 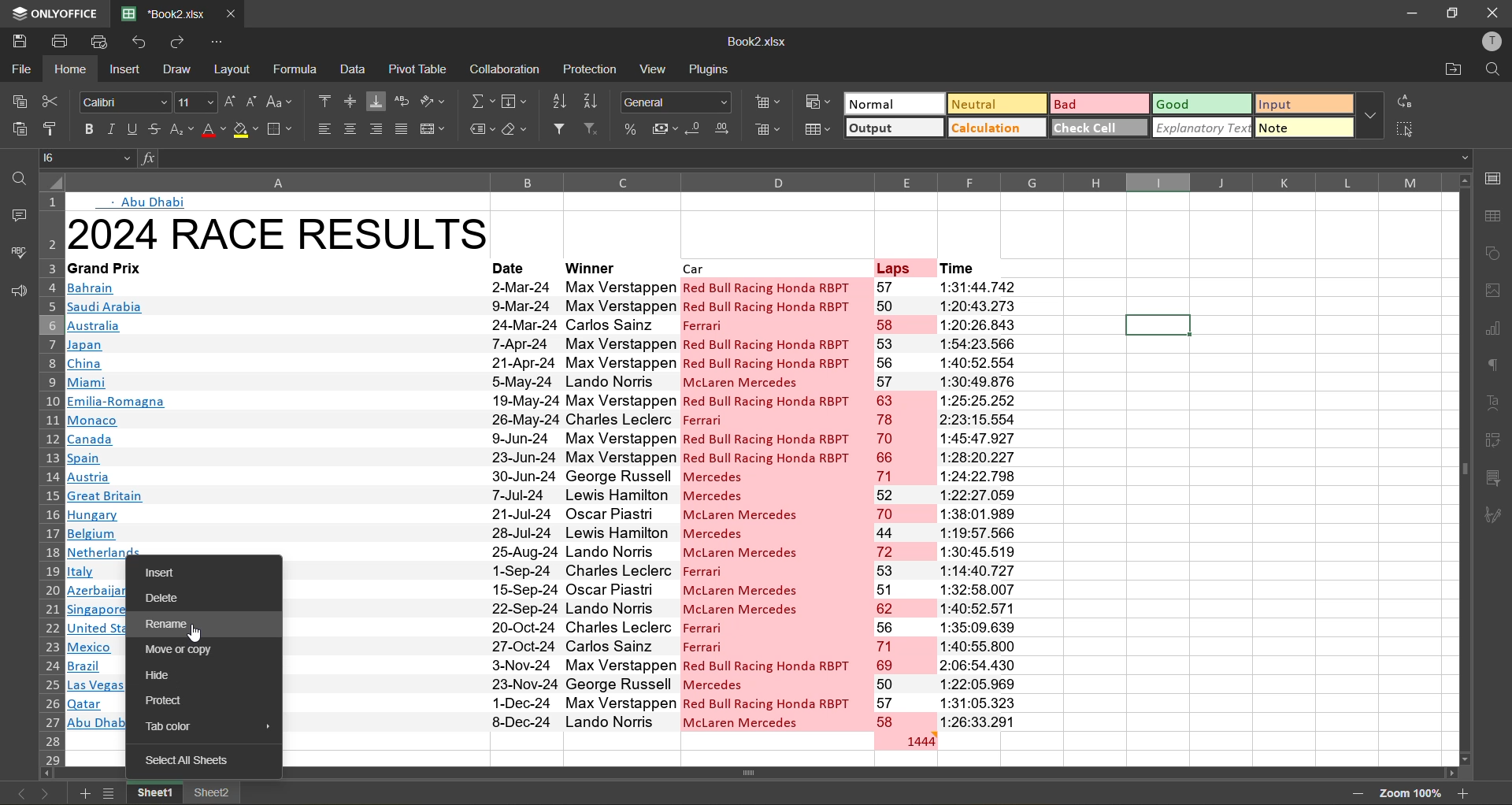 What do you see at coordinates (478, 132) in the screenshot?
I see `named ranges` at bounding box center [478, 132].